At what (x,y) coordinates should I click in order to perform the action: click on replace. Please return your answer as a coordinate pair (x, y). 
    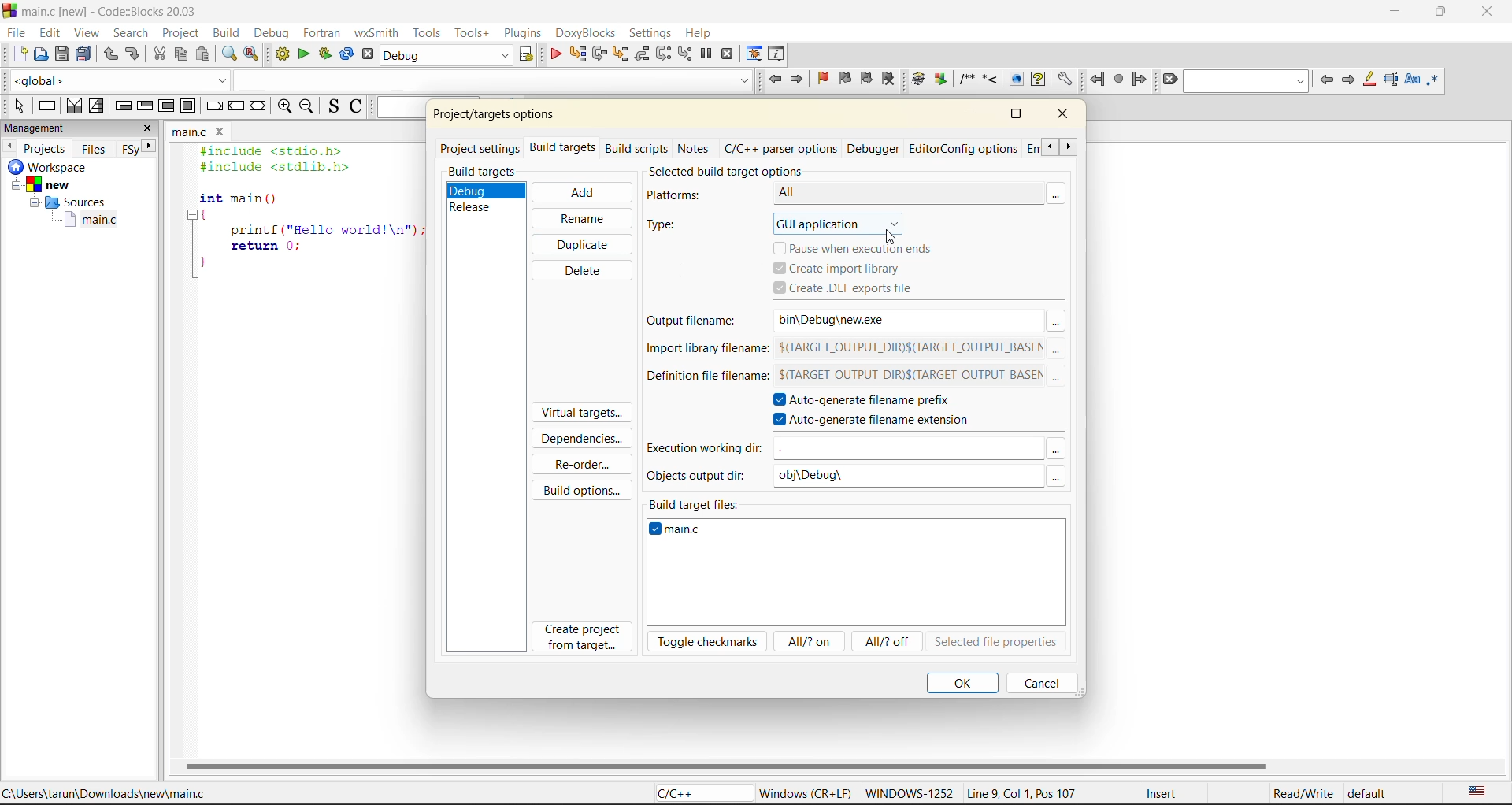
    Looking at the image, I should click on (251, 52).